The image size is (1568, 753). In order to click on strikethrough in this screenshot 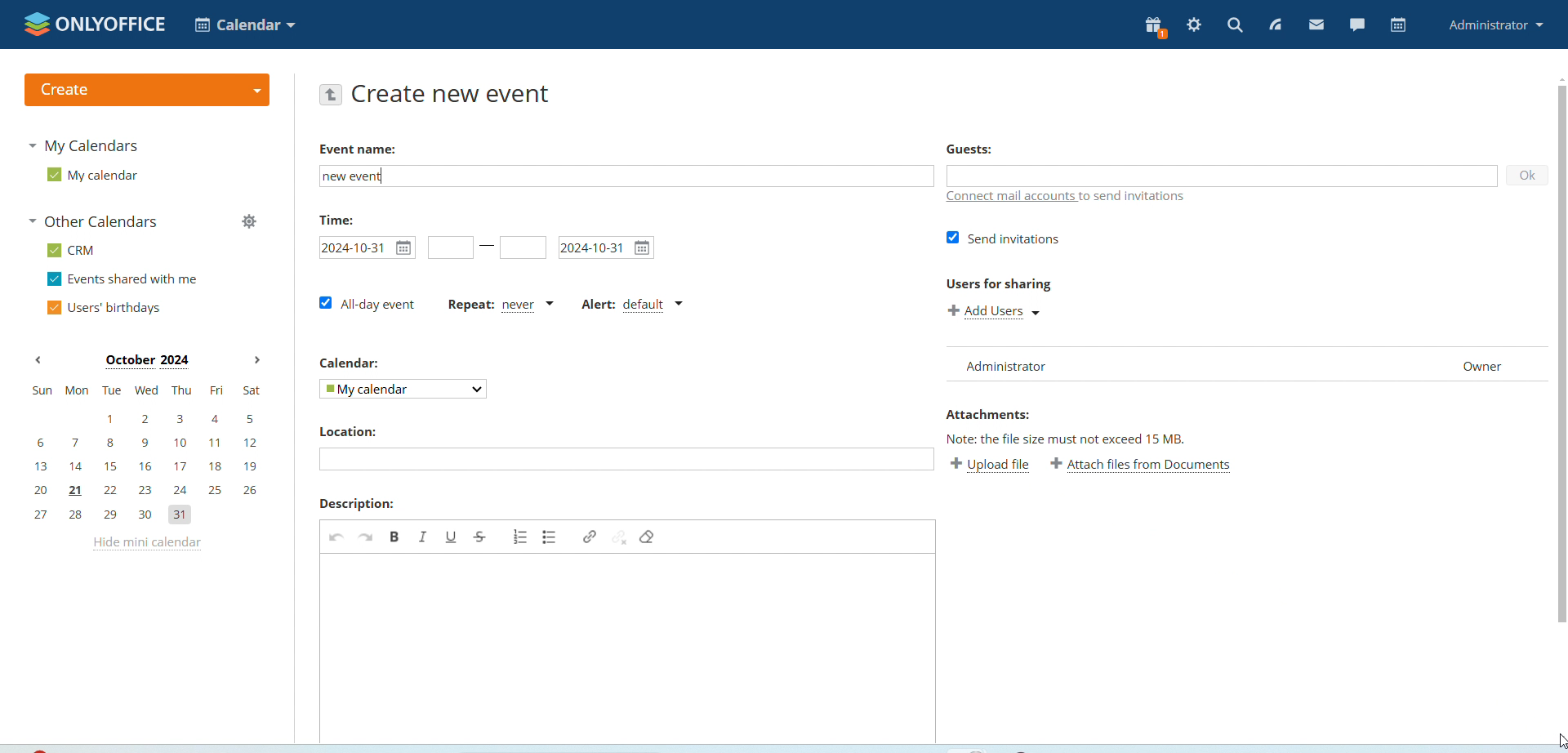, I will do `click(482, 538)`.